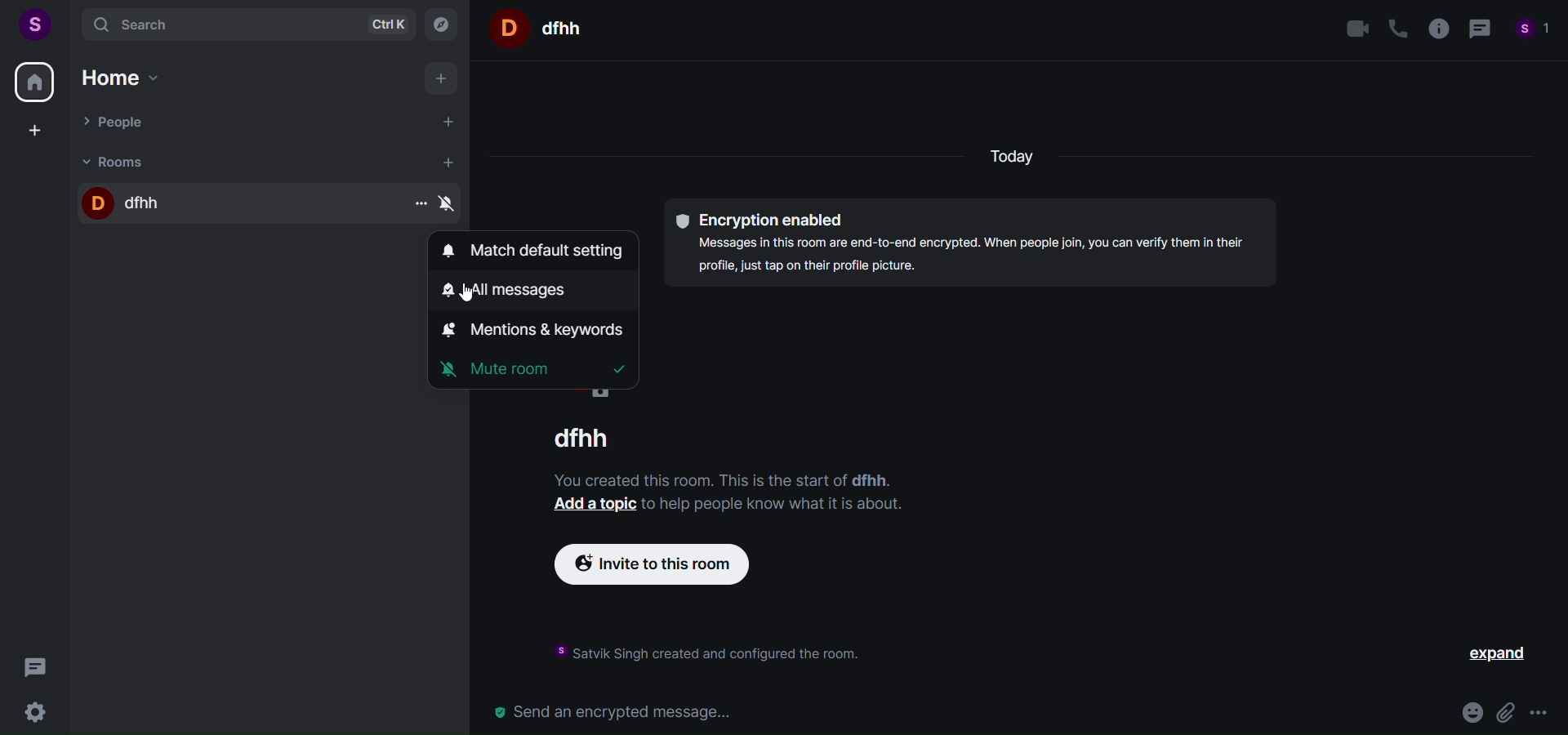  What do you see at coordinates (1397, 26) in the screenshot?
I see `call` at bounding box center [1397, 26].